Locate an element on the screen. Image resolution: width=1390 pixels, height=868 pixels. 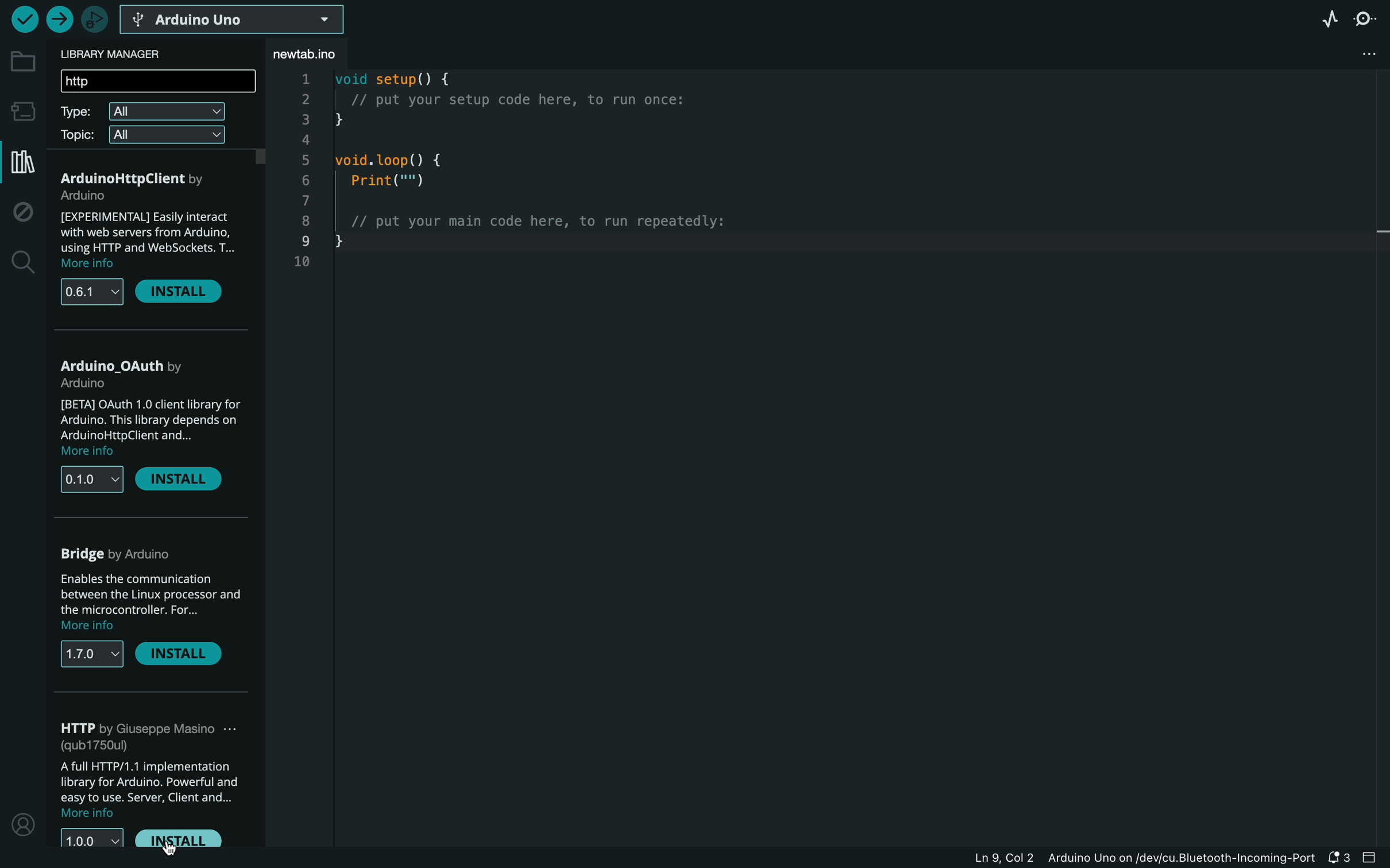
file information is located at coordinates (1125, 857).